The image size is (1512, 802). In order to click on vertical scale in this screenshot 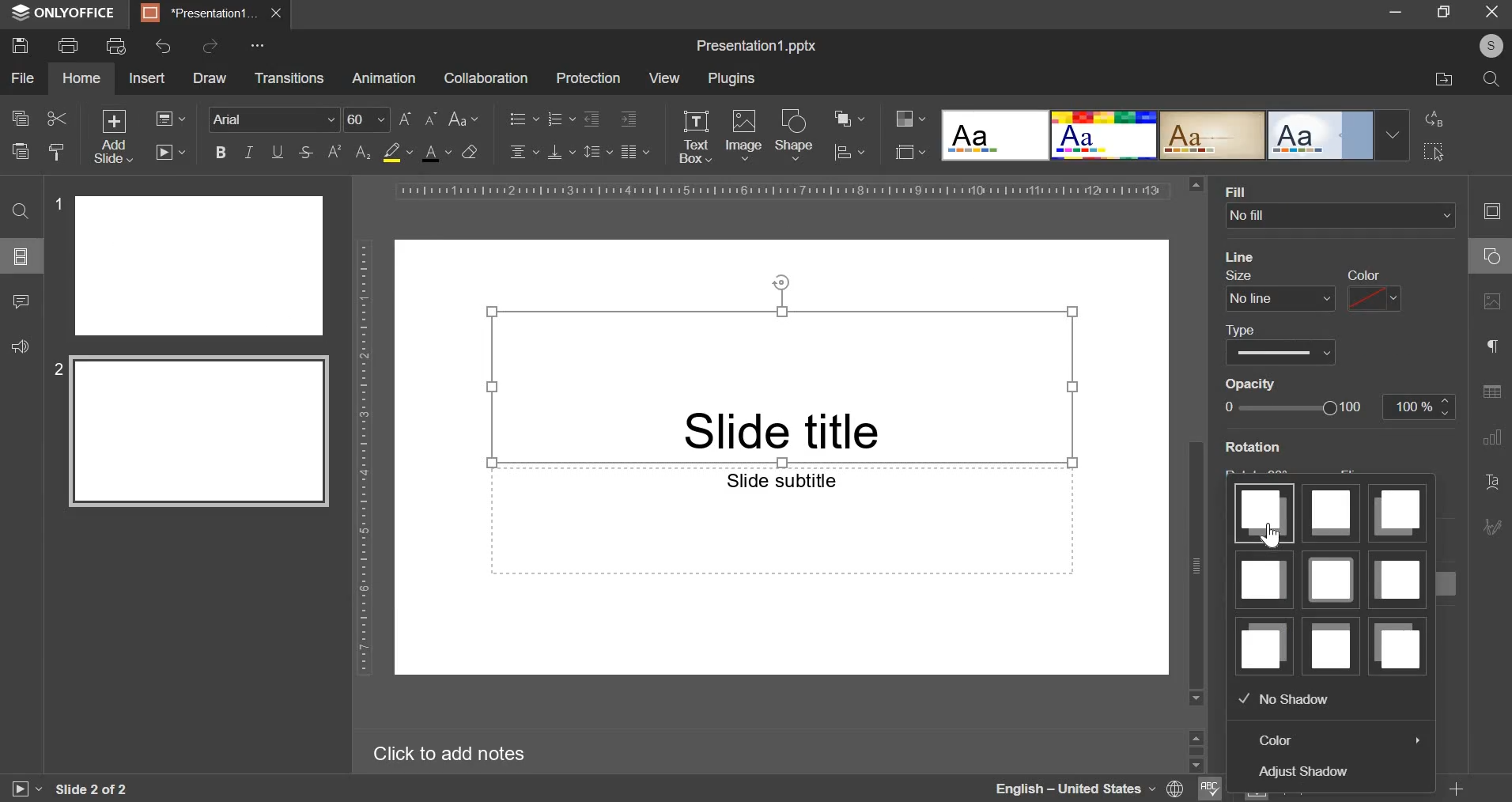, I will do `click(364, 456)`.